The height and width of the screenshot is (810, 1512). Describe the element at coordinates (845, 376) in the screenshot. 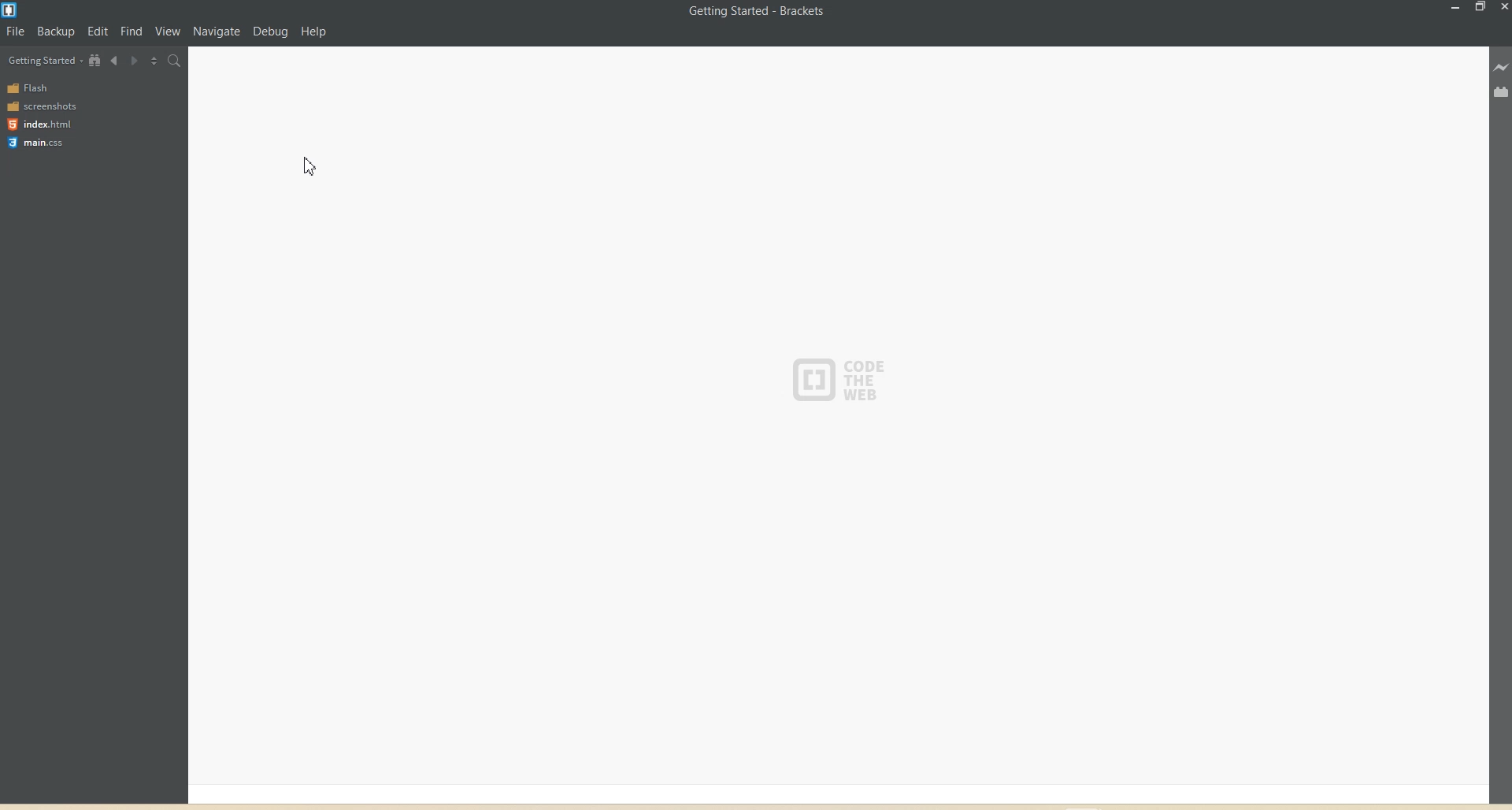

I see `CODE THE WEB` at that location.